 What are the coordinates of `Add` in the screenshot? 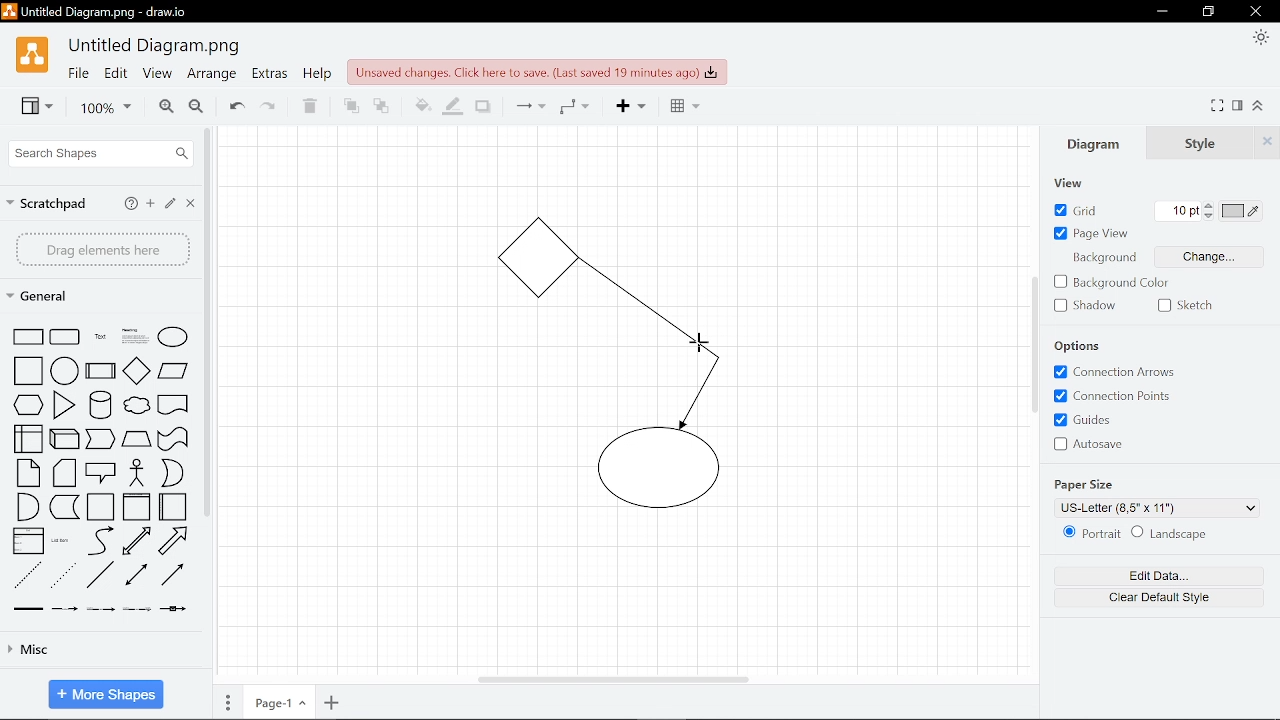 It's located at (627, 108).